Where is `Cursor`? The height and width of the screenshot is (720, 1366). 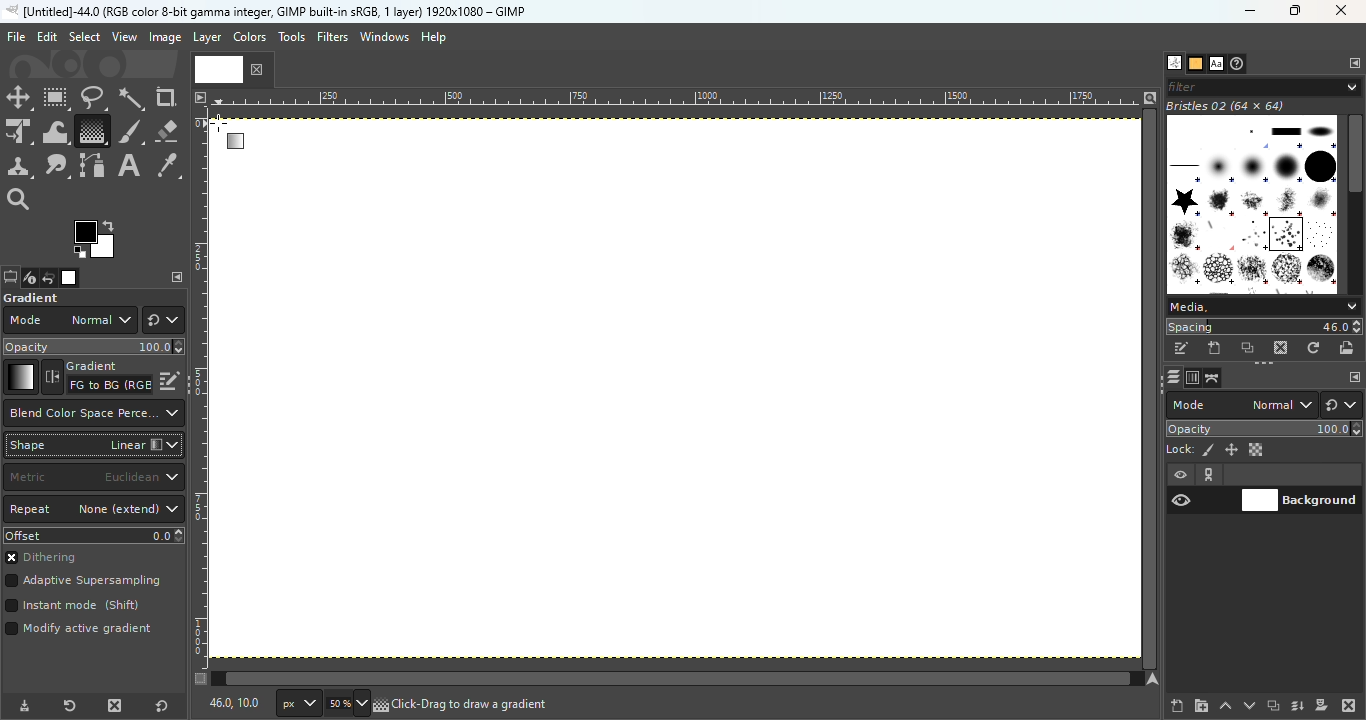 Cursor is located at coordinates (238, 139).